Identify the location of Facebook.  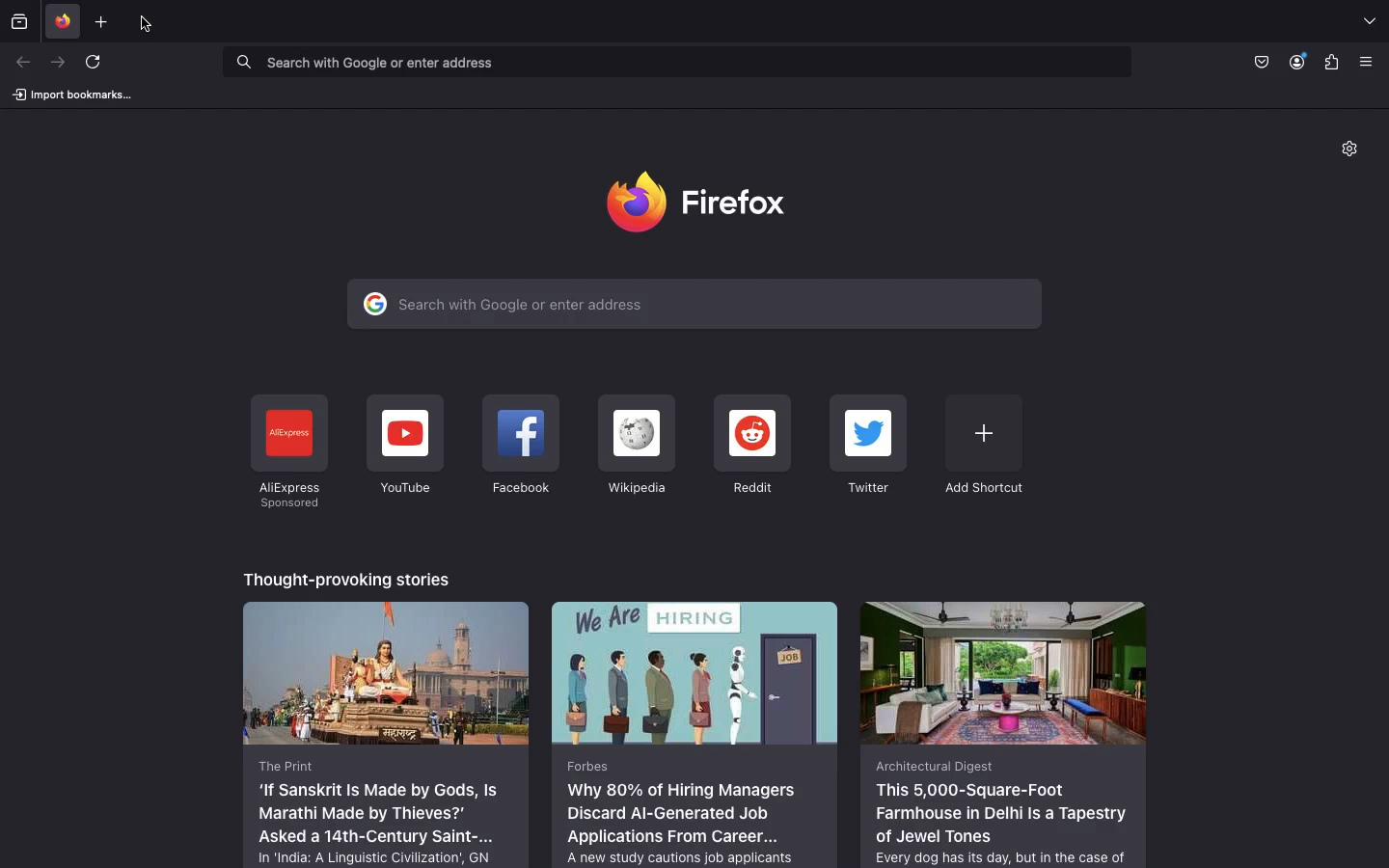
(520, 448).